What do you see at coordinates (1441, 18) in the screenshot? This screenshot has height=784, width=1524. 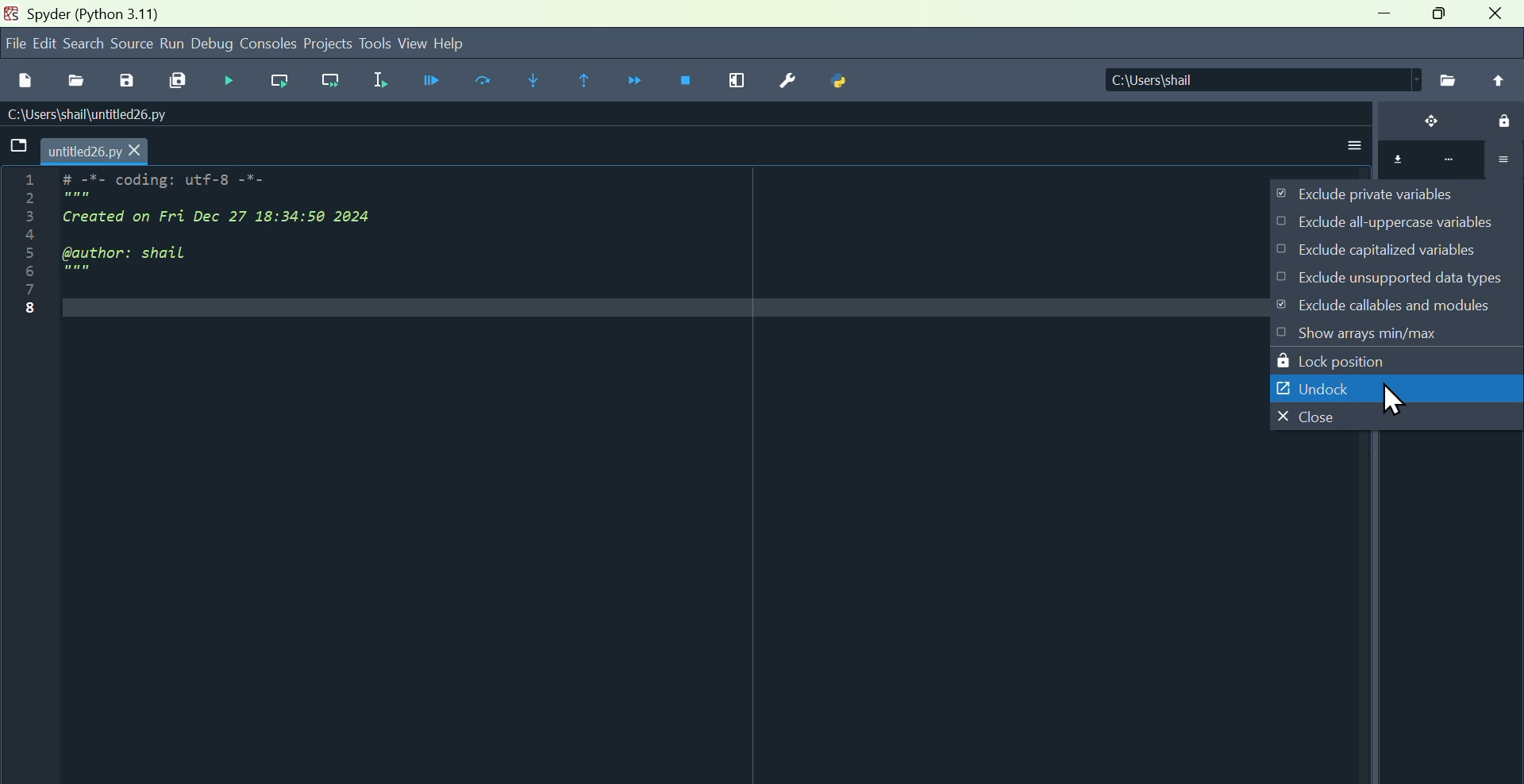 I see `Maximise` at bounding box center [1441, 18].